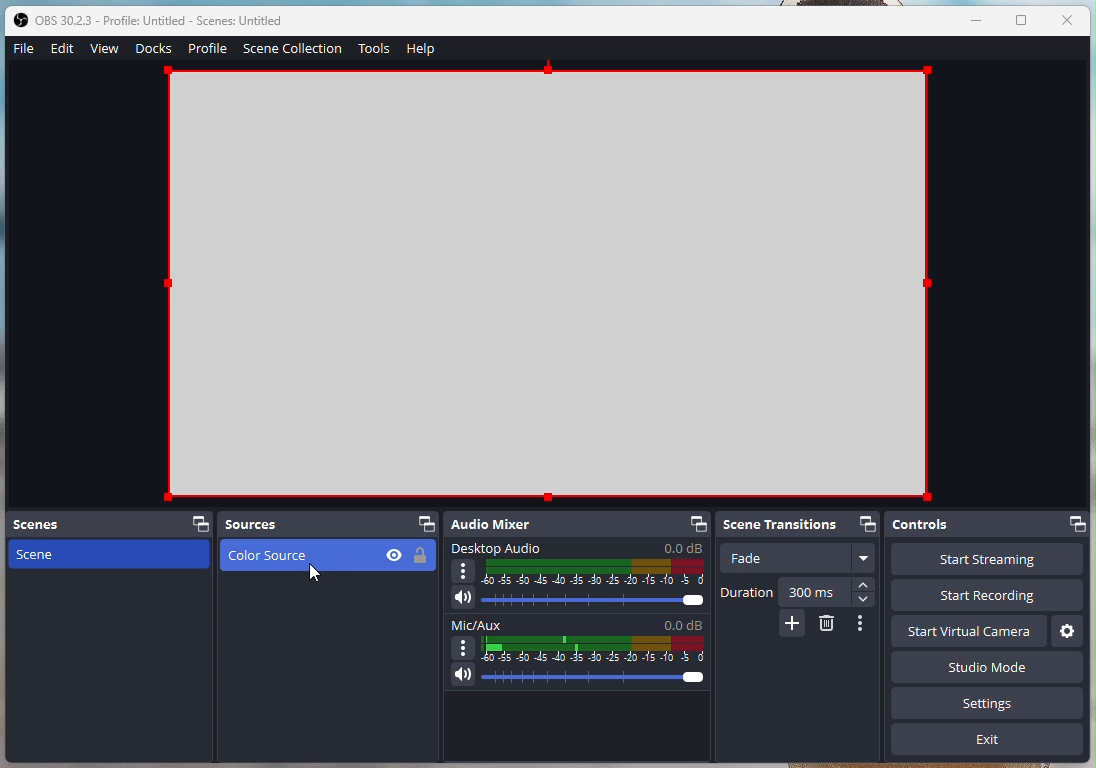 Image resolution: width=1096 pixels, height=768 pixels. Describe the element at coordinates (1068, 19) in the screenshot. I see `close` at that location.